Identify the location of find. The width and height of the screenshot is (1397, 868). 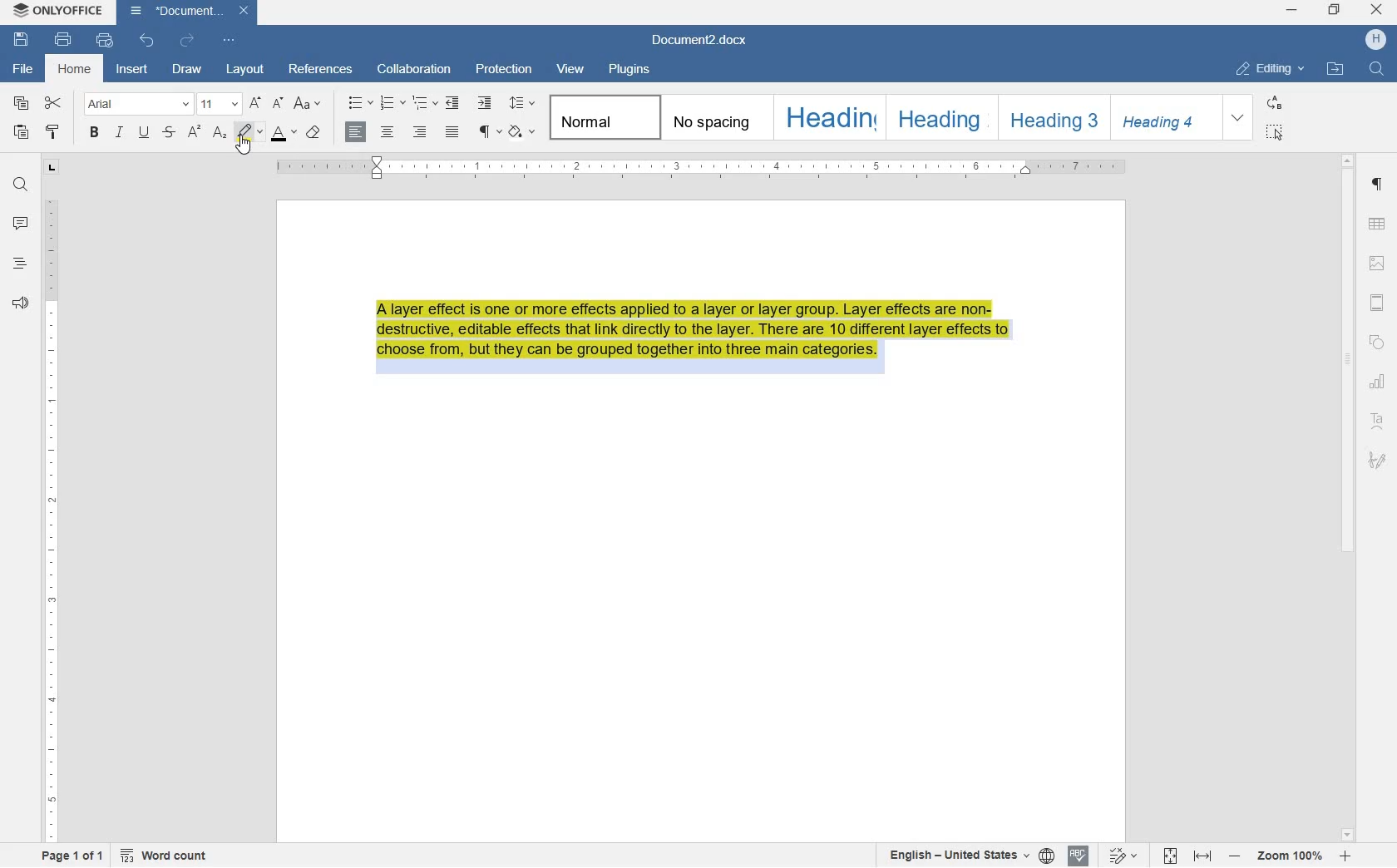
(1377, 70).